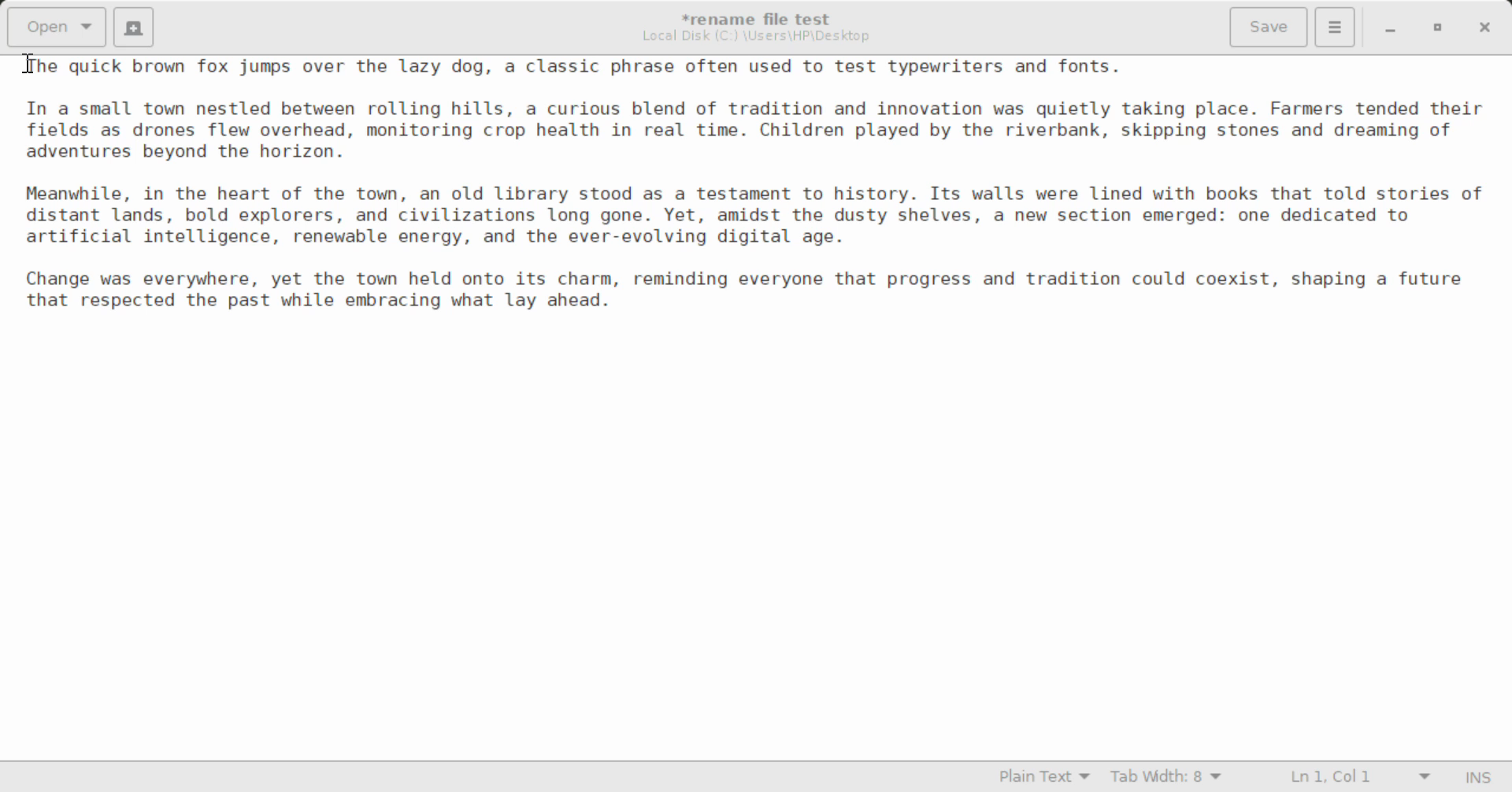 The width and height of the screenshot is (1512, 792). Describe the element at coordinates (1354, 775) in the screenshot. I see `Line & Character Count` at that location.